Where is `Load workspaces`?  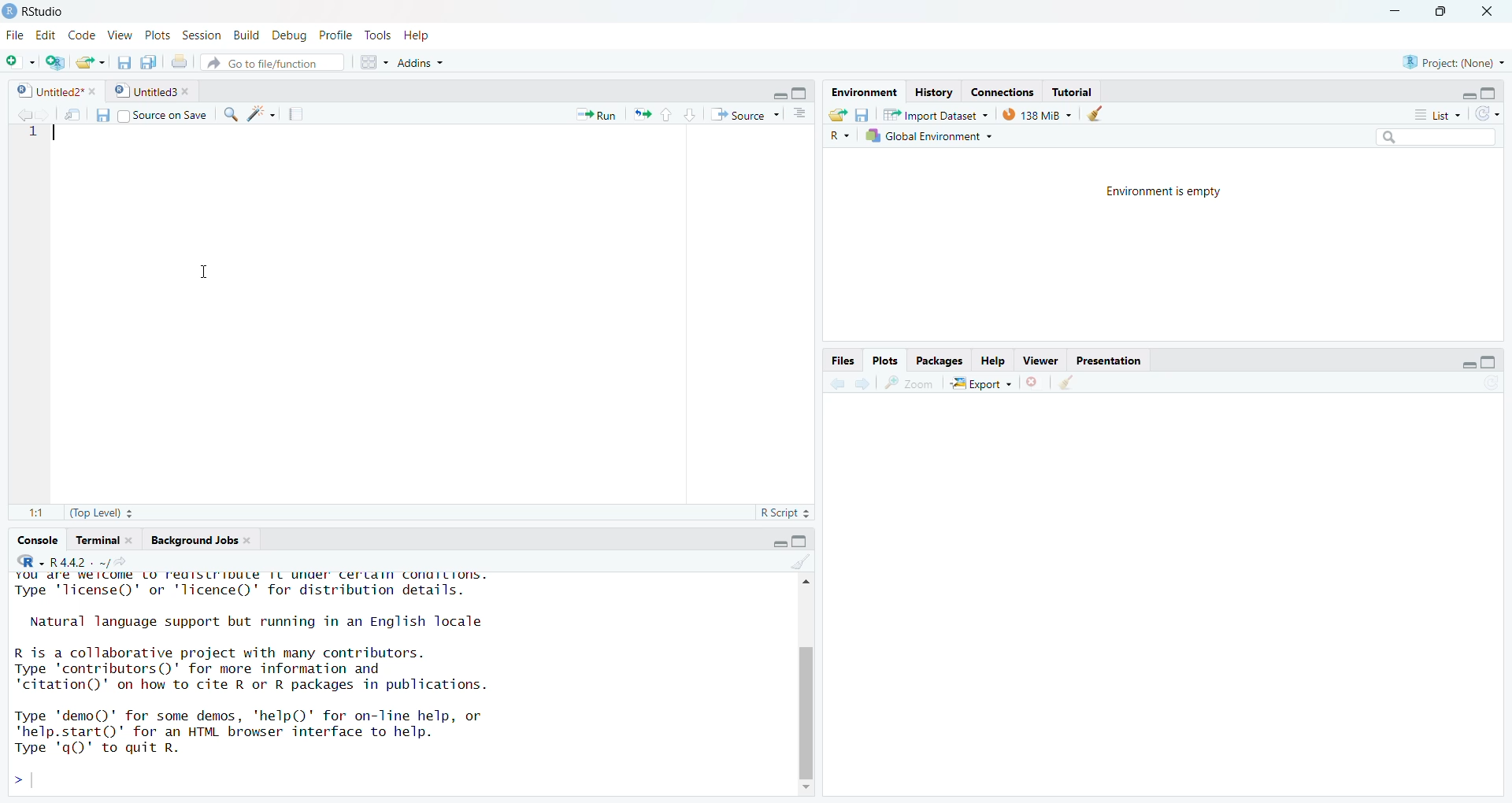
Load workspaces is located at coordinates (840, 114).